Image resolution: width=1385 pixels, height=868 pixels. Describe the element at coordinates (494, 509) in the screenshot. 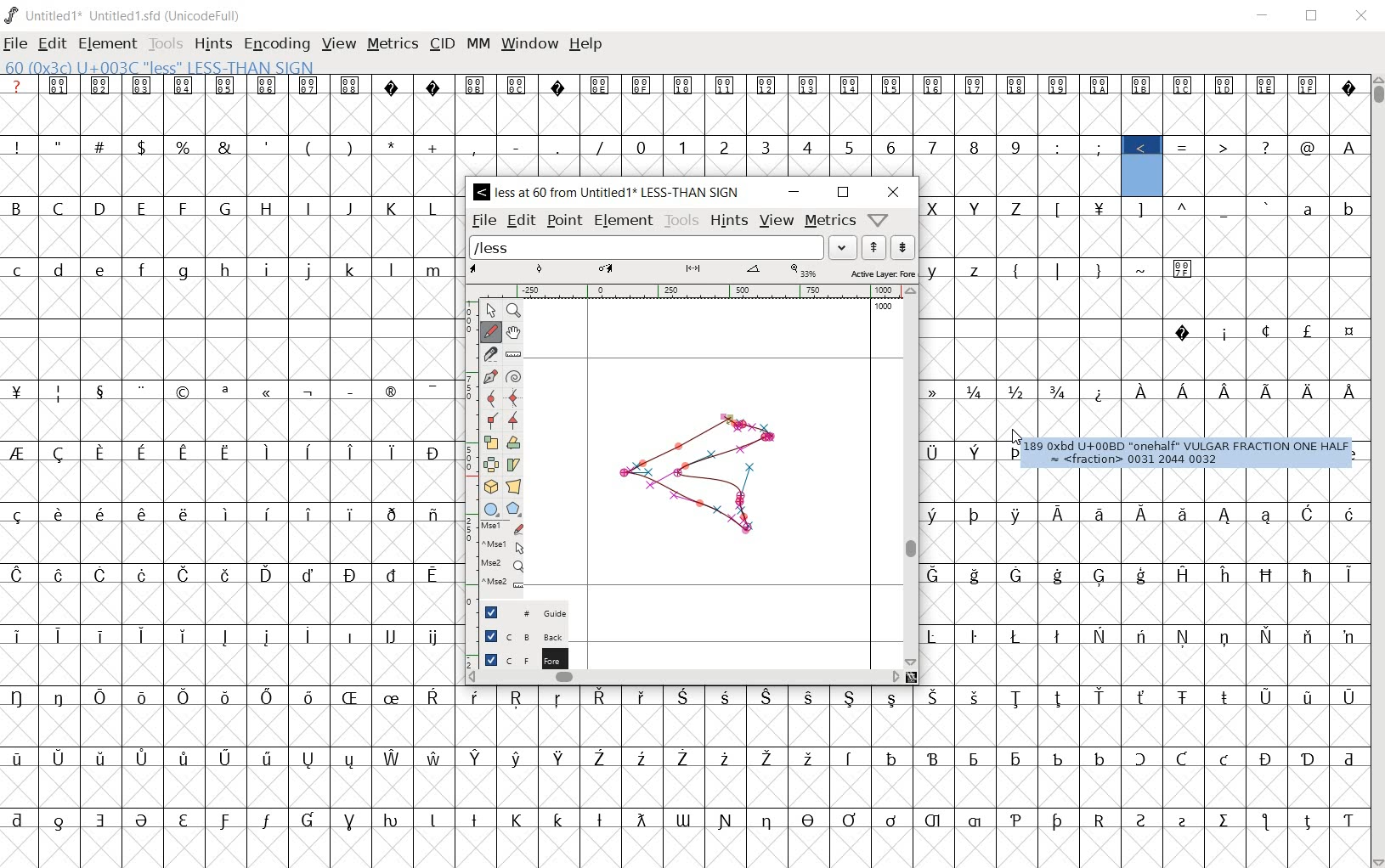

I see `rectangle or ellipse` at that location.